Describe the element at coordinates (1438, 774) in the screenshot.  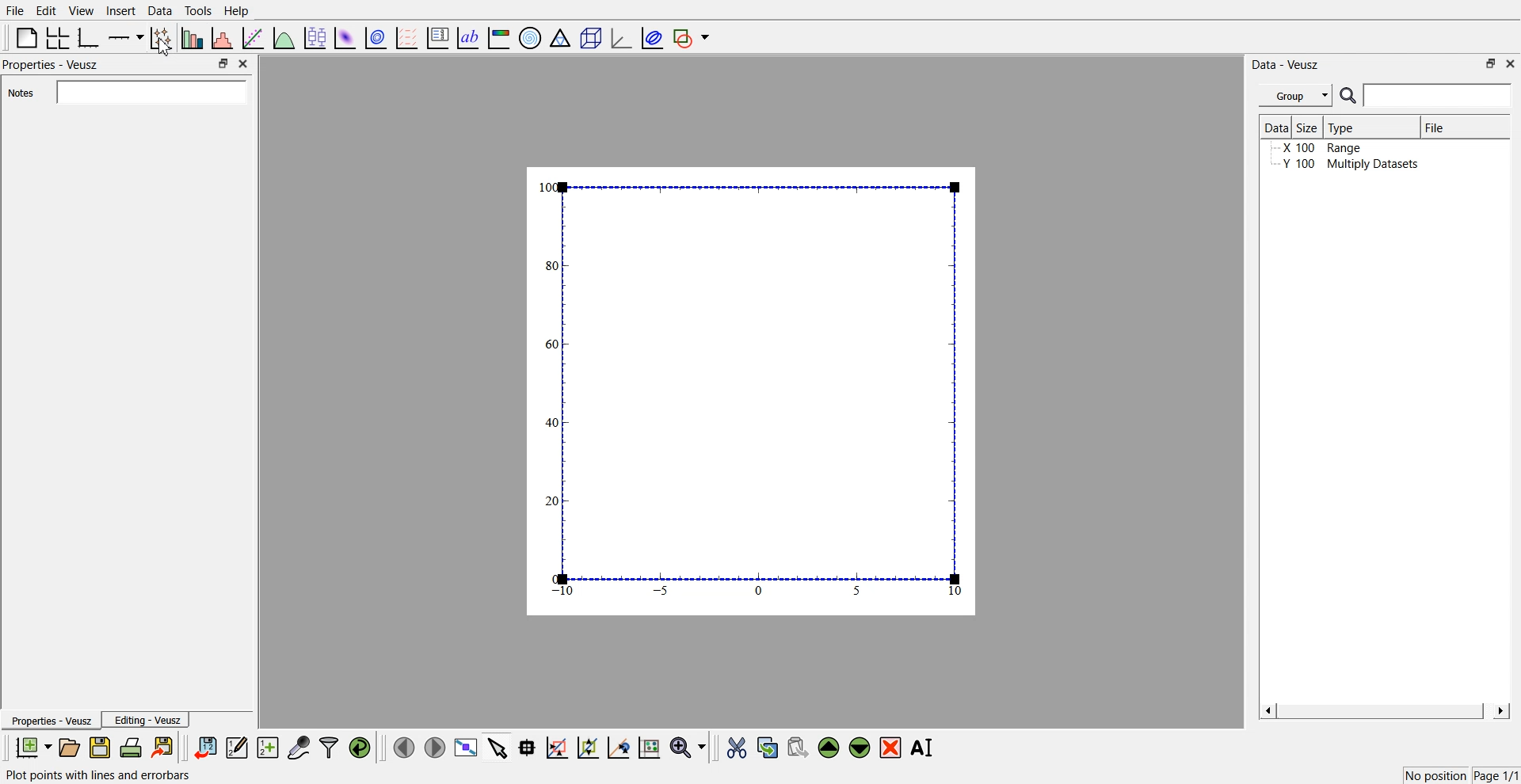
I see `No position` at that location.